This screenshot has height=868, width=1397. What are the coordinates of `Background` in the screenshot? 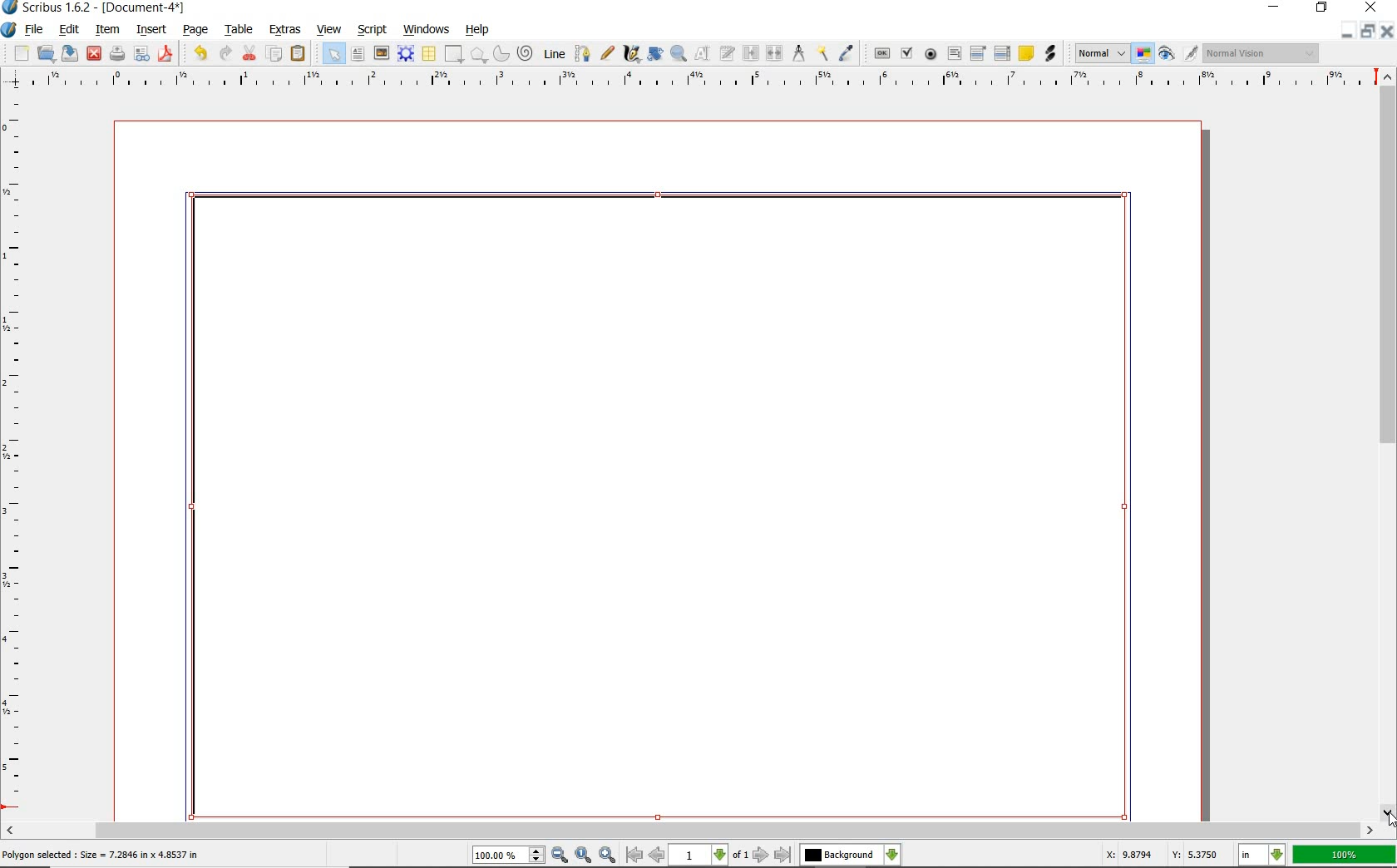 It's located at (851, 856).